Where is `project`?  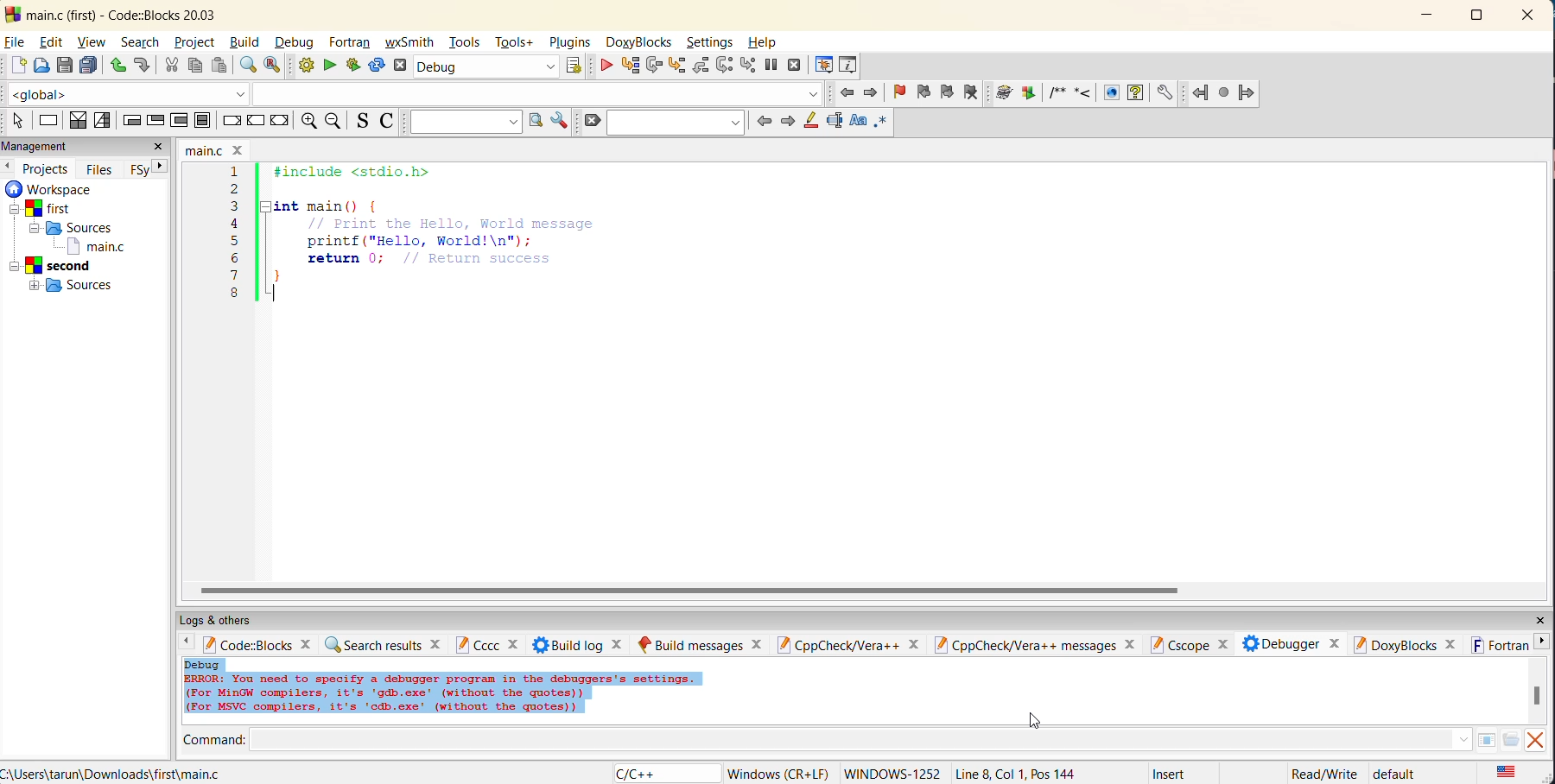
project is located at coordinates (195, 44).